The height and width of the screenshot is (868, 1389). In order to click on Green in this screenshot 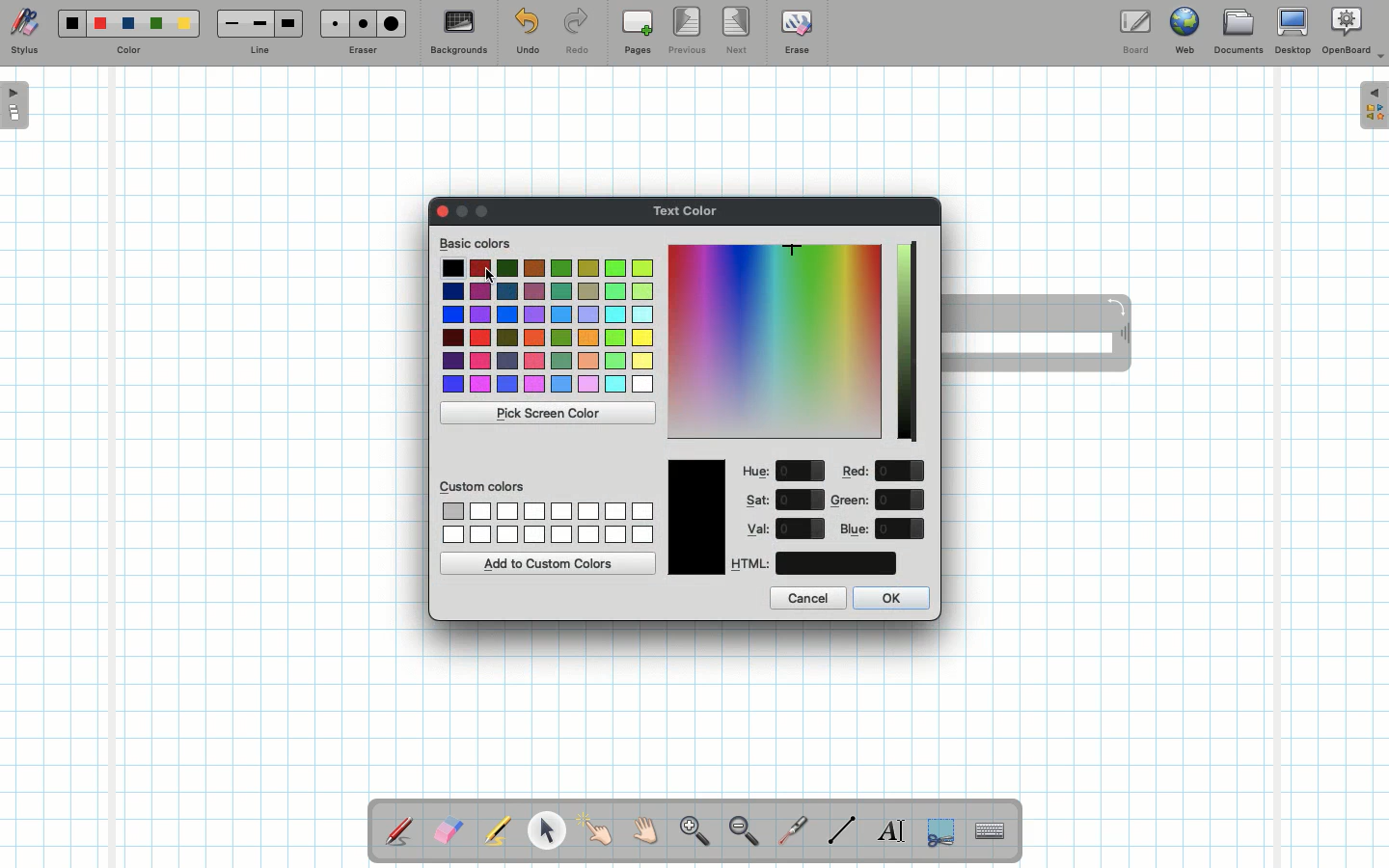, I will do `click(851, 501)`.